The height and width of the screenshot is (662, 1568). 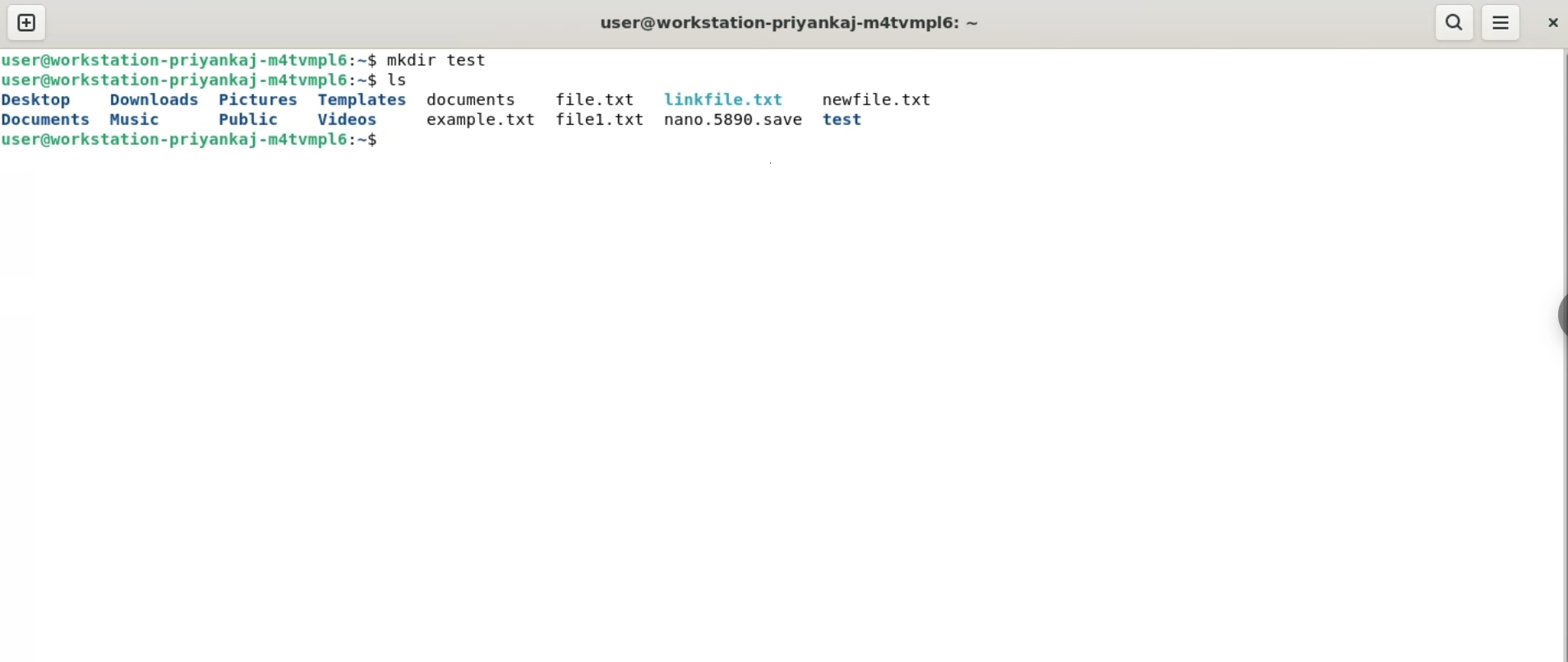 What do you see at coordinates (191, 59) in the screenshot?
I see `user@workstation-priyankaj-m4tvmpl6: ~$` at bounding box center [191, 59].